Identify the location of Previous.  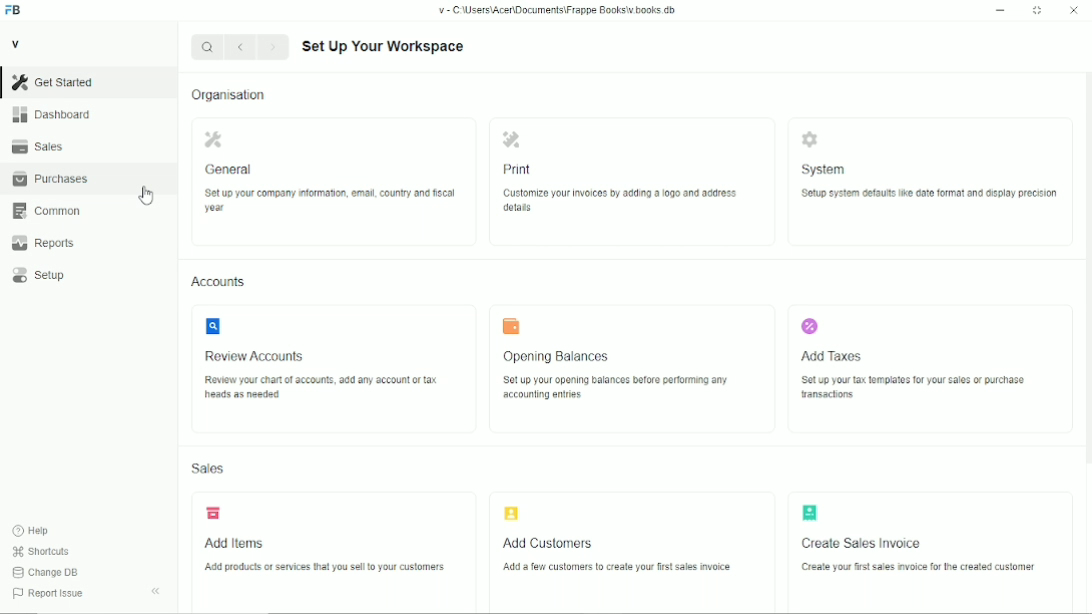
(241, 47).